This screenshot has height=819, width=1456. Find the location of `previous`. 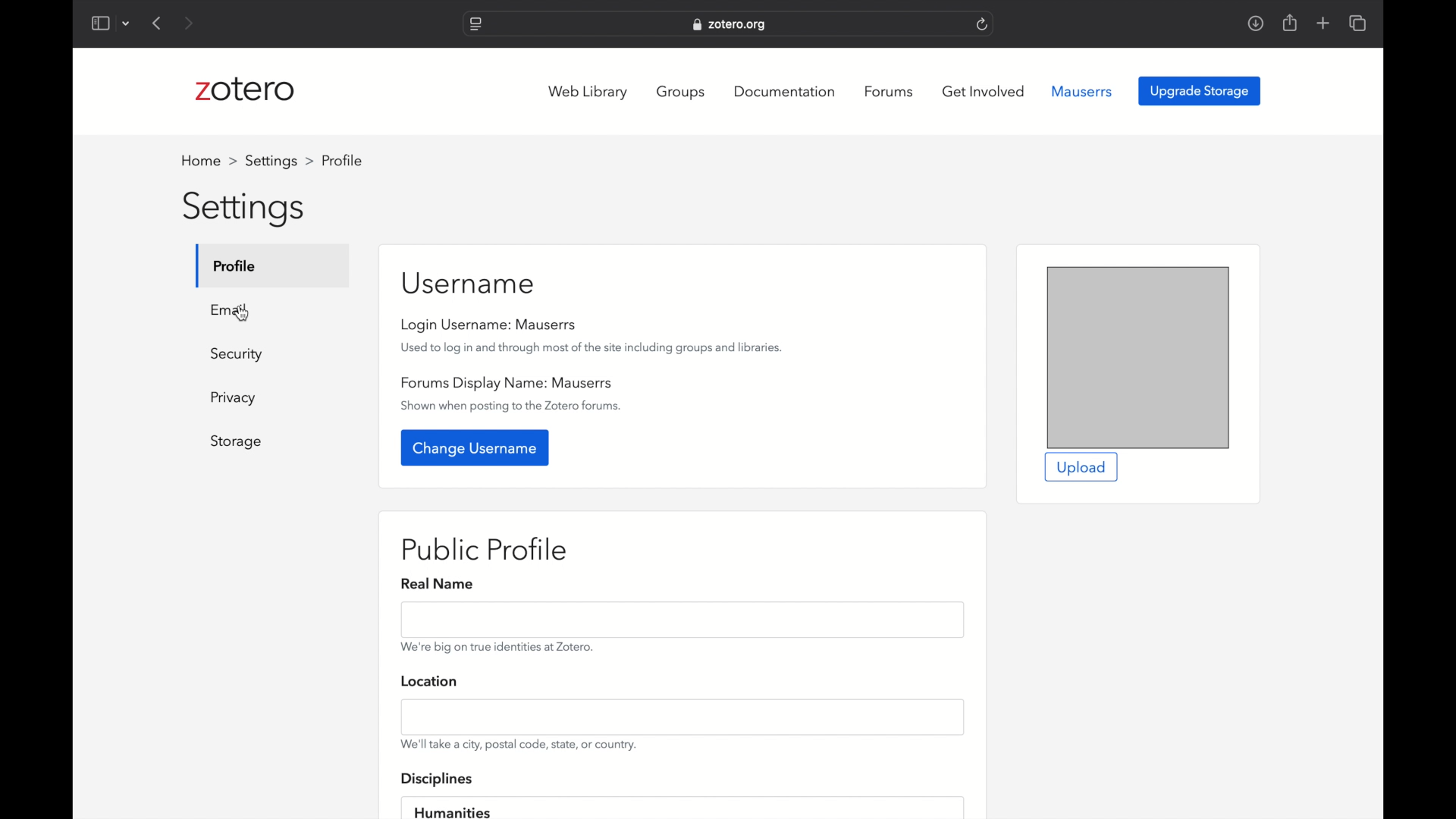

previous is located at coordinates (158, 23).